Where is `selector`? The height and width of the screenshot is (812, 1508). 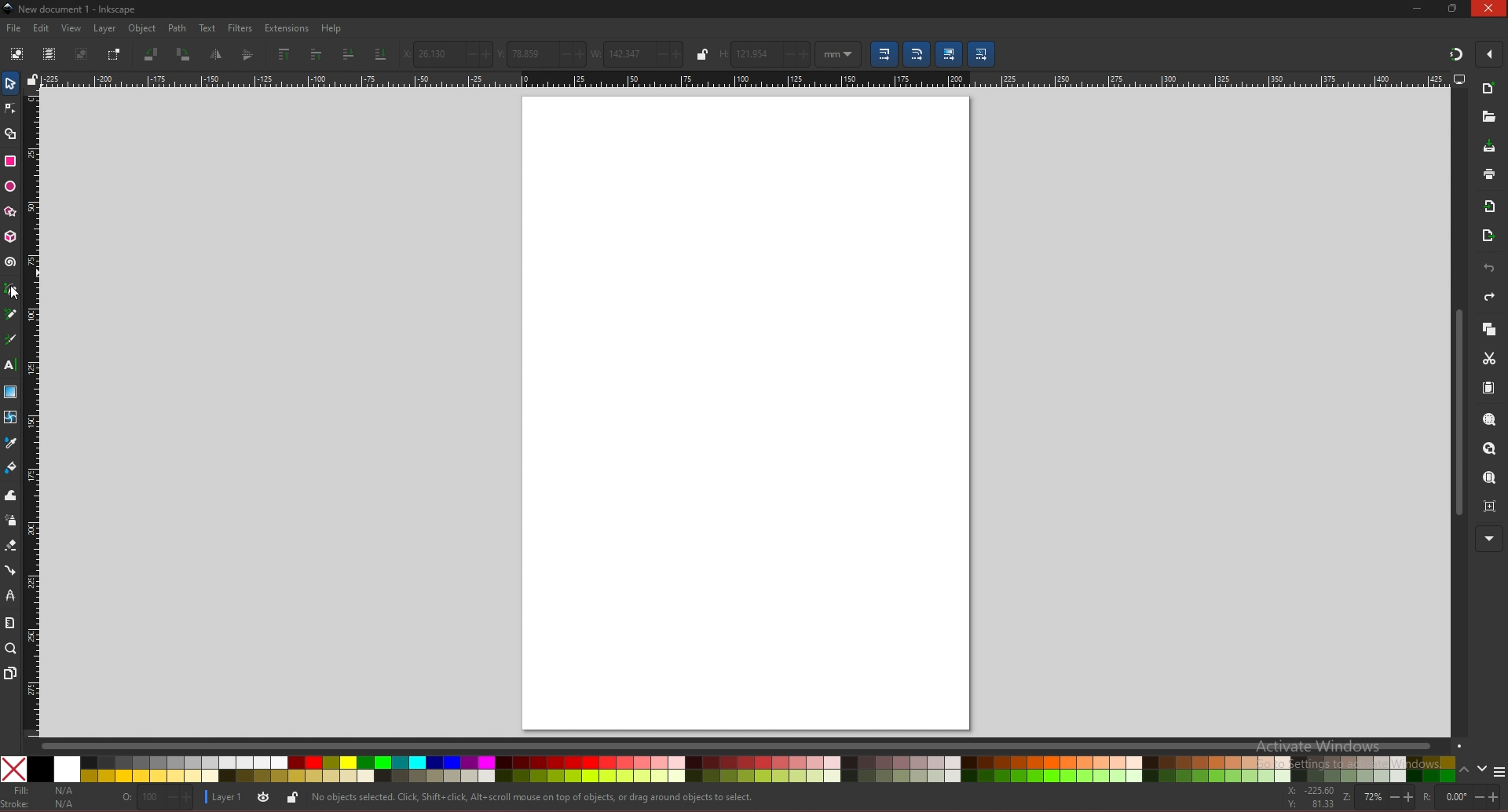 selector is located at coordinates (10, 83).